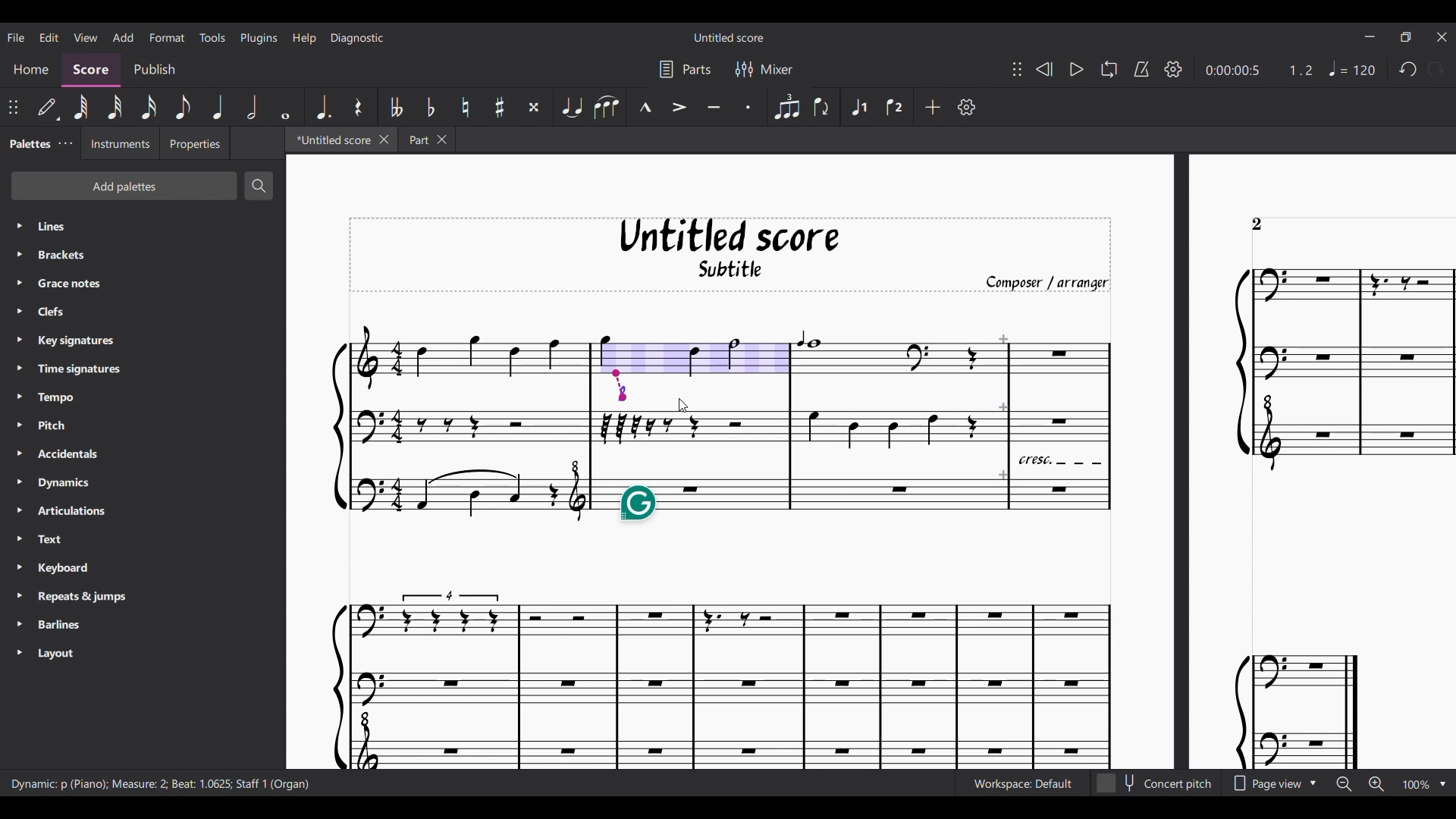 The width and height of the screenshot is (1456, 819). I want to click on Publish section, so click(153, 70).